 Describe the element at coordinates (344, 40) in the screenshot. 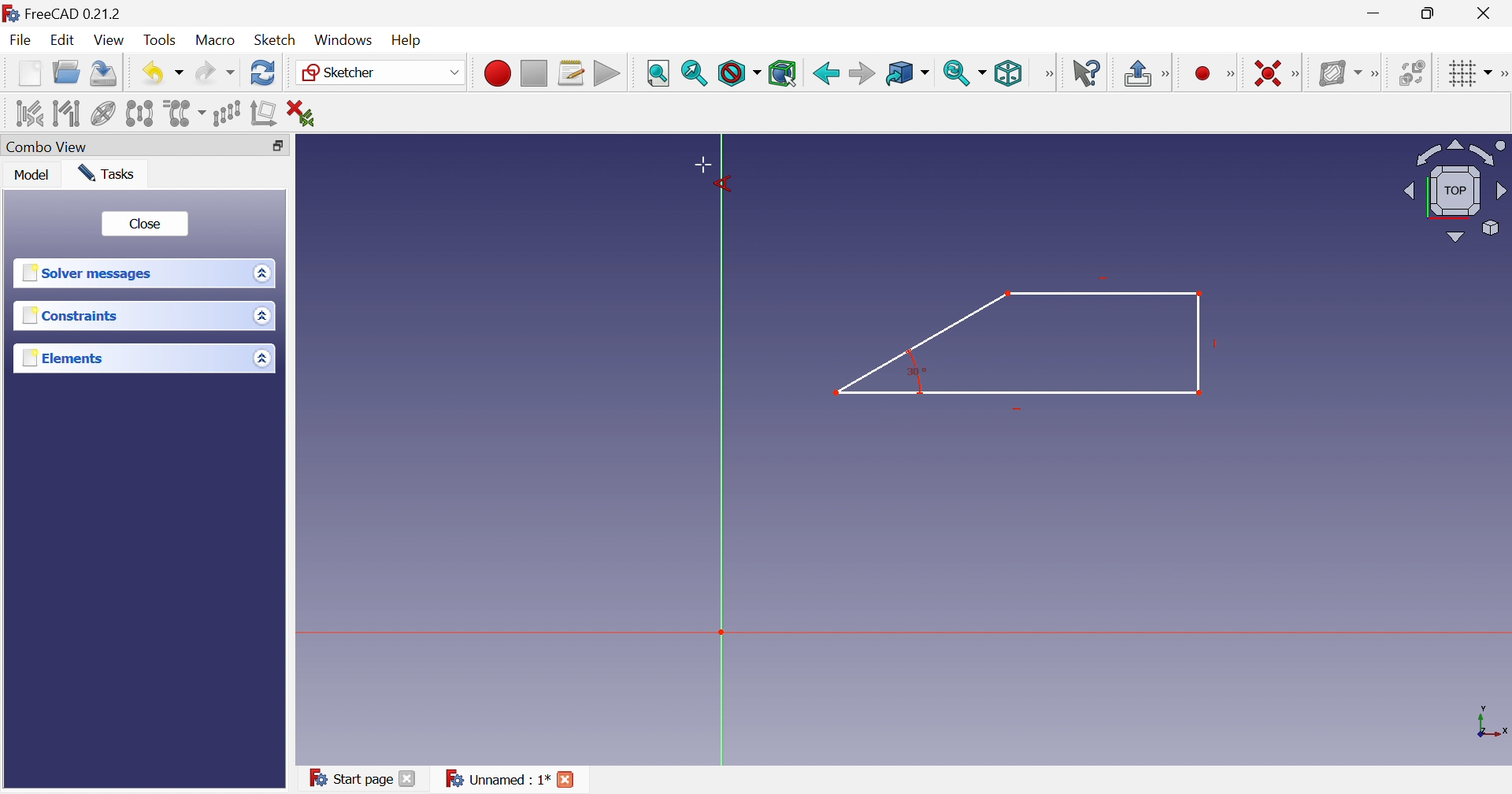

I see `Windows` at that location.